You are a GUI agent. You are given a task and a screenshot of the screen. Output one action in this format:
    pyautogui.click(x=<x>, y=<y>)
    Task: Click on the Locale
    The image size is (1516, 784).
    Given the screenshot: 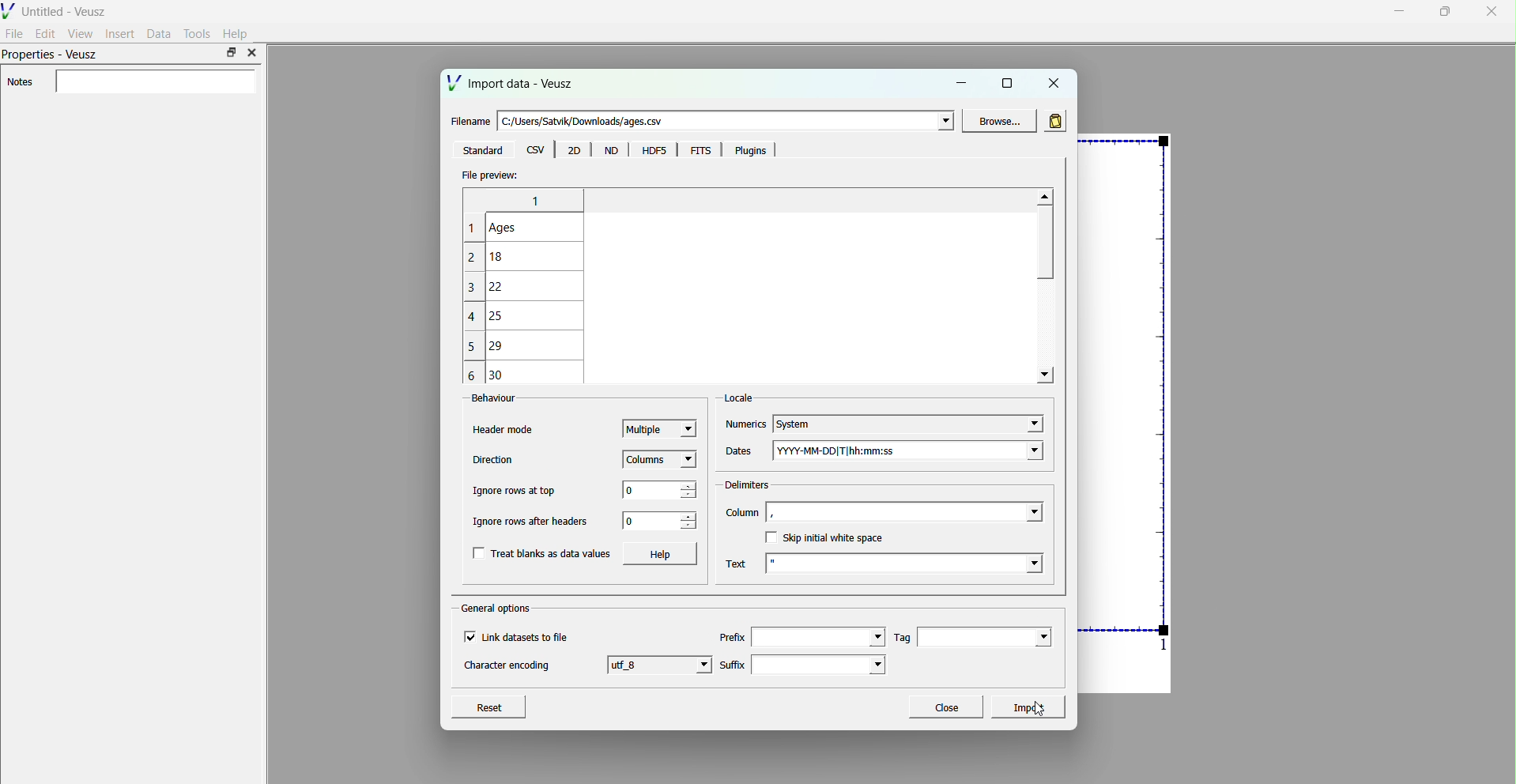 What is the action you would take?
    pyautogui.click(x=738, y=398)
    